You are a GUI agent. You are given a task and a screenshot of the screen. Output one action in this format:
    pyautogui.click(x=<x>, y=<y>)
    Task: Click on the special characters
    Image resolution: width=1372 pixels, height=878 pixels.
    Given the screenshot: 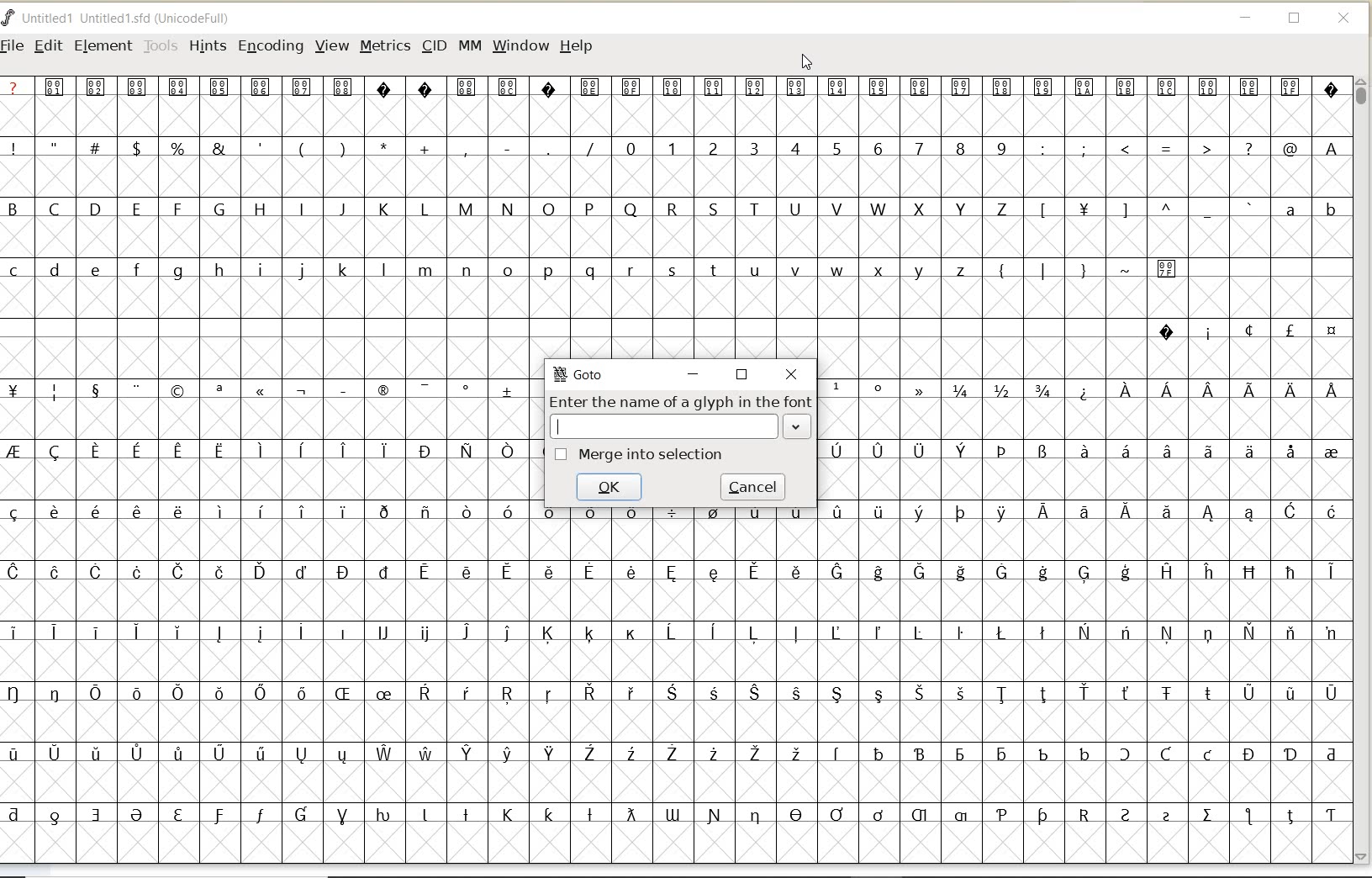 What is the action you would take?
    pyautogui.click(x=673, y=668)
    